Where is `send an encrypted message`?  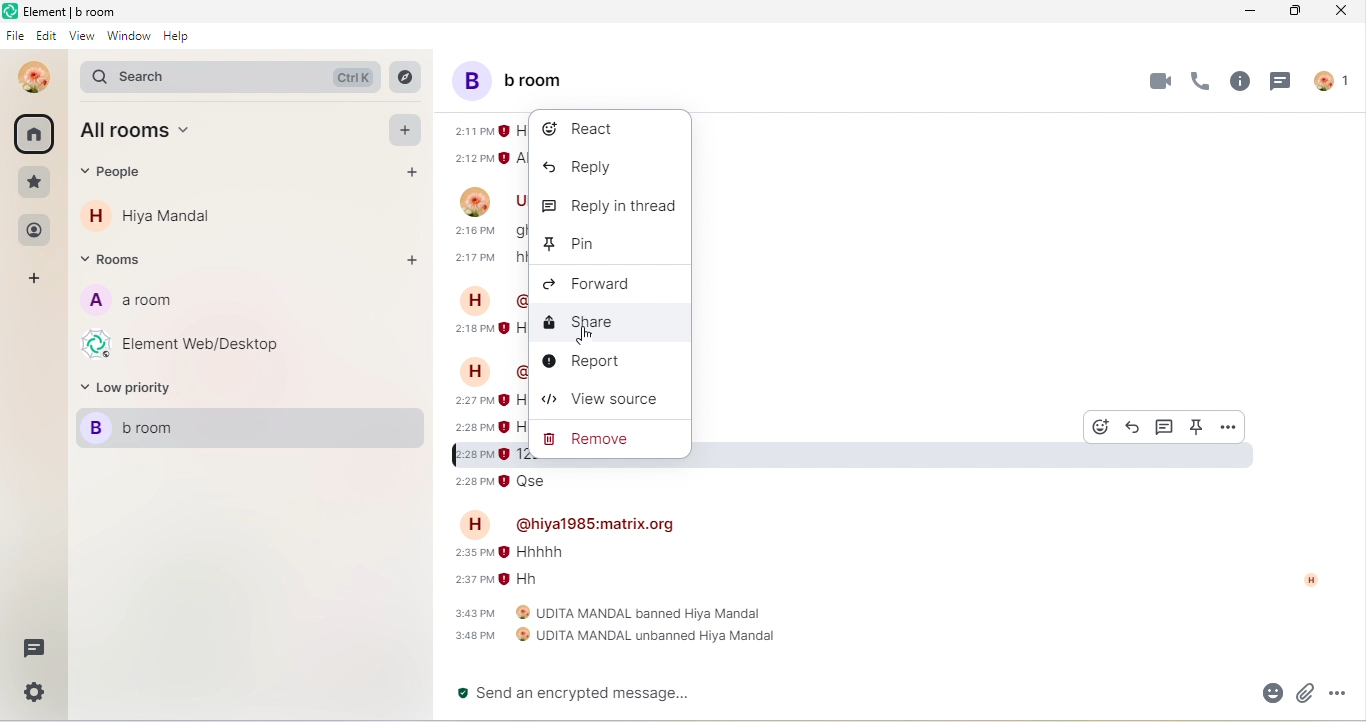 send an encrypted message is located at coordinates (590, 694).